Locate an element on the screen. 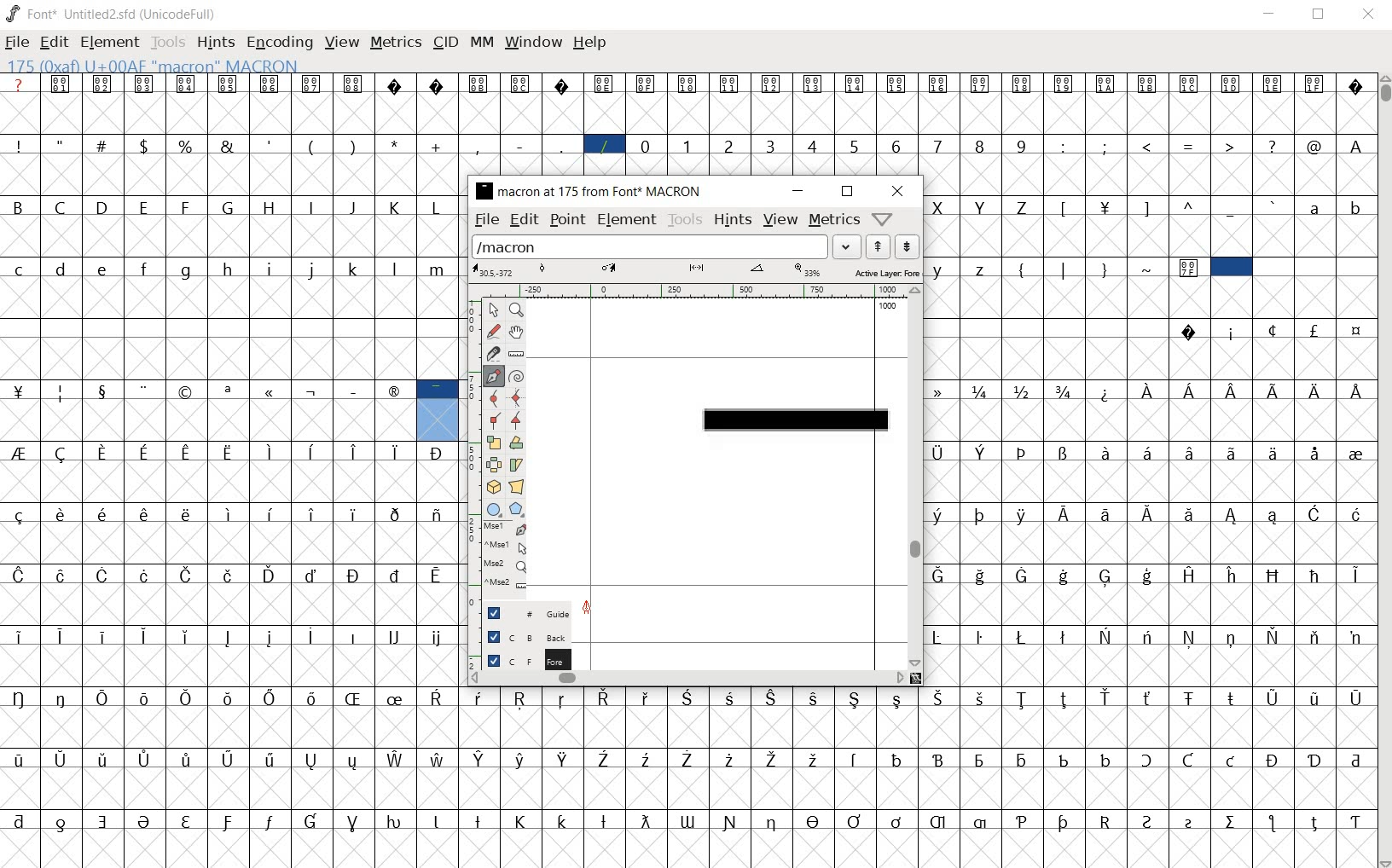 This screenshot has width=1392, height=868. Symbol is located at coordinates (396, 513).